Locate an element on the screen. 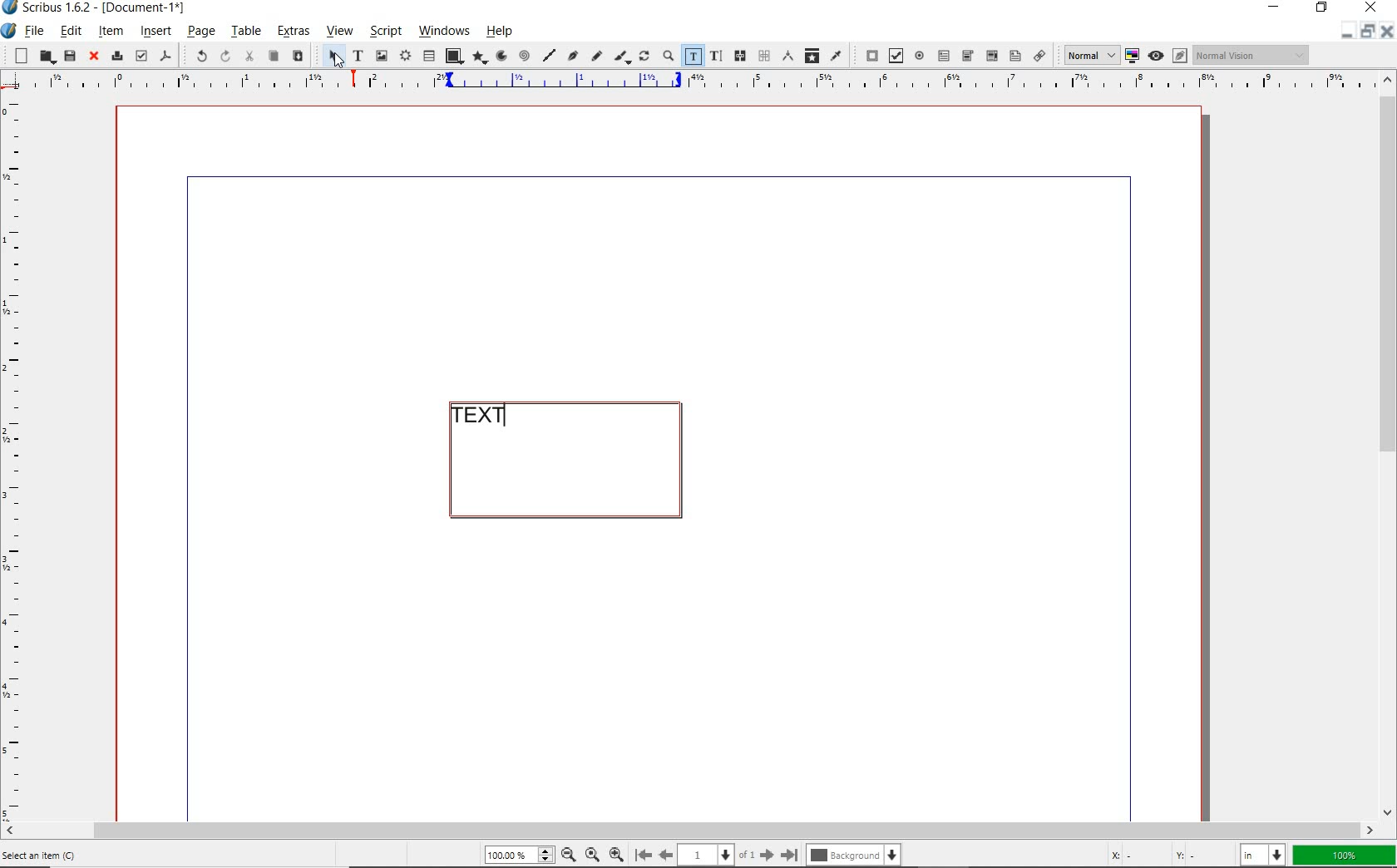  minimize is located at coordinates (1365, 32).